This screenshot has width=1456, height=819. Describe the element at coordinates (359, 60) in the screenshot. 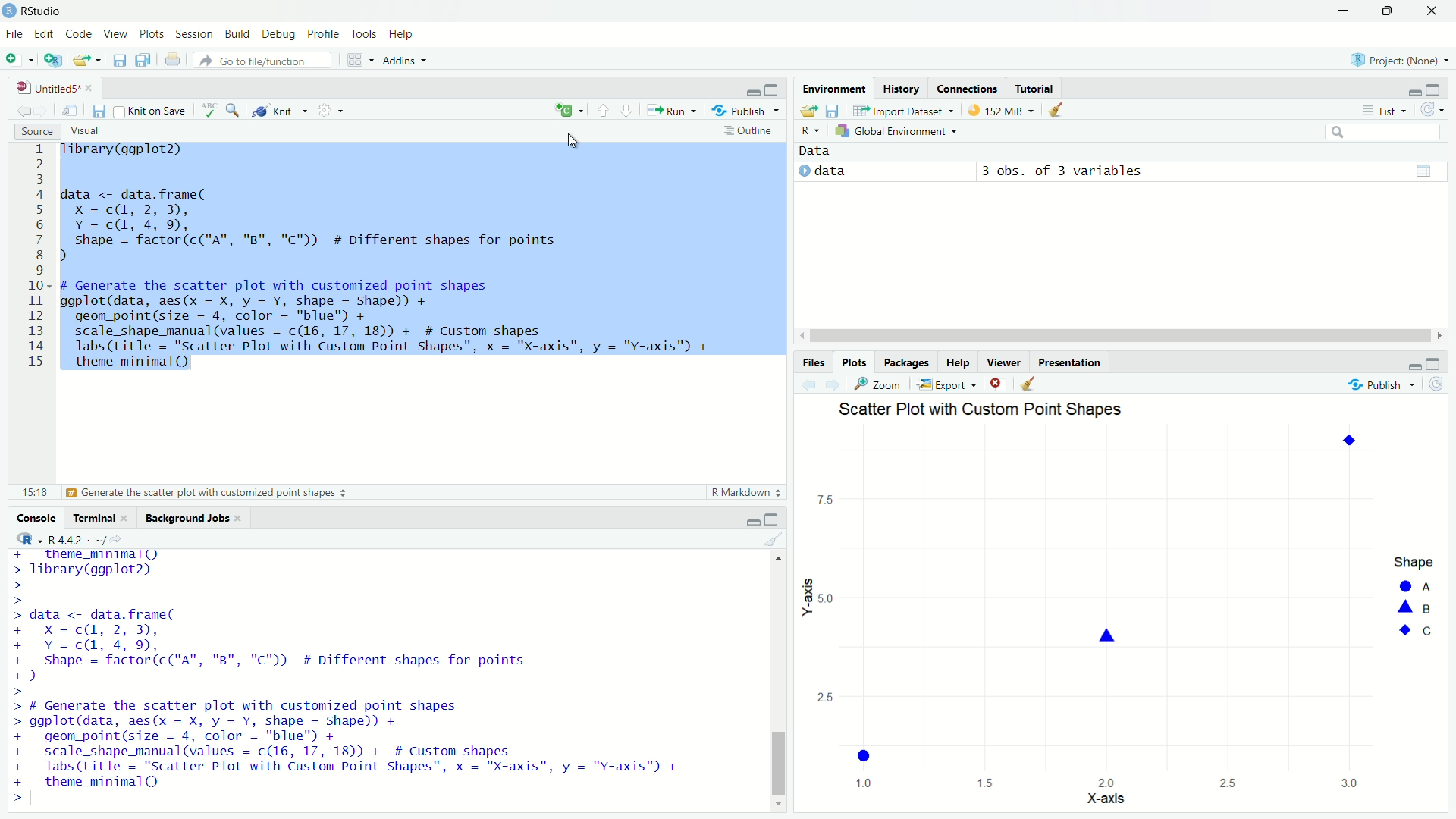

I see `Workspace panes` at that location.